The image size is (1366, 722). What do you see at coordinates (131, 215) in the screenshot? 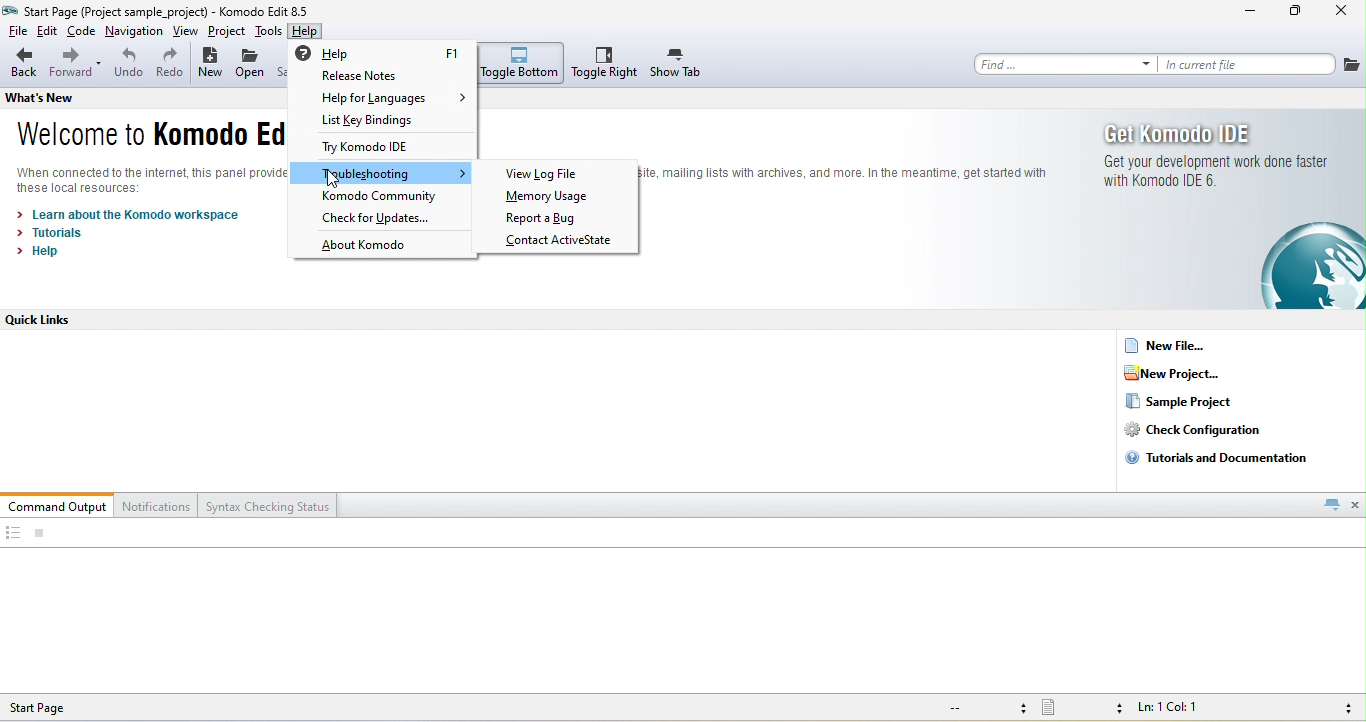
I see `learn about the komodo workspace` at bounding box center [131, 215].